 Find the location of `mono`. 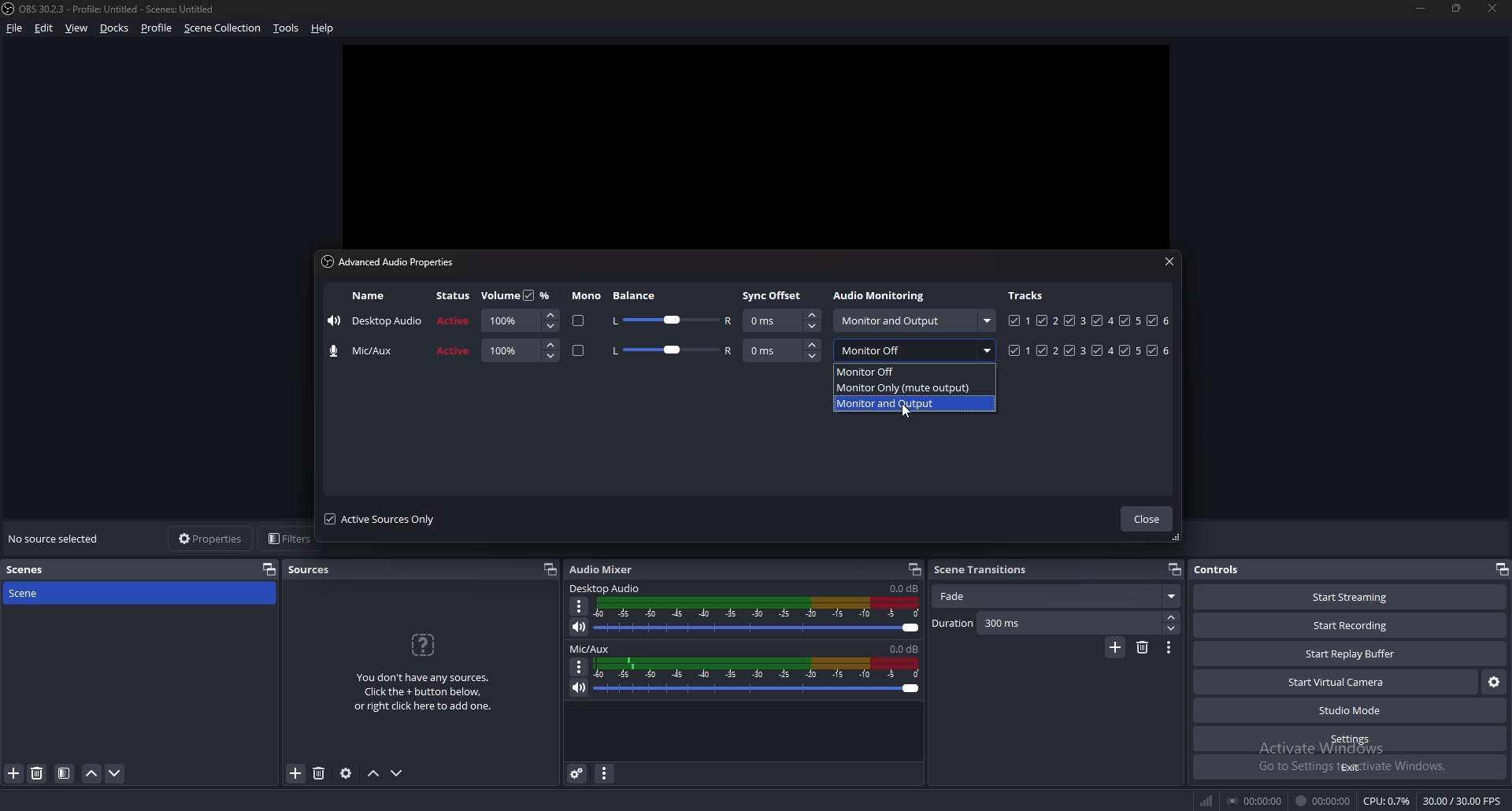

mono is located at coordinates (579, 320).